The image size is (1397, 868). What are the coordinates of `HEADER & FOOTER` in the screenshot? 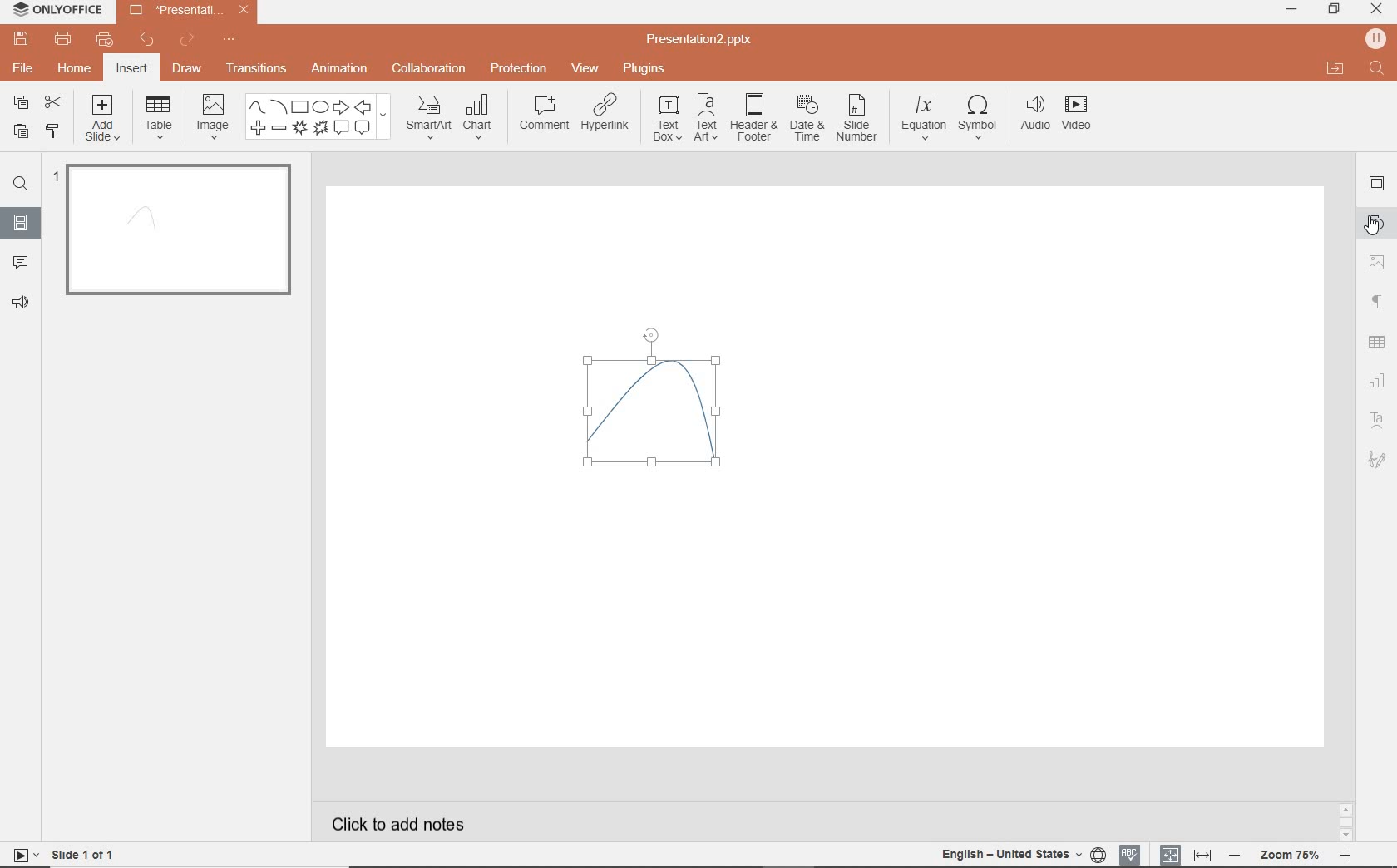 It's located at (753, 118).